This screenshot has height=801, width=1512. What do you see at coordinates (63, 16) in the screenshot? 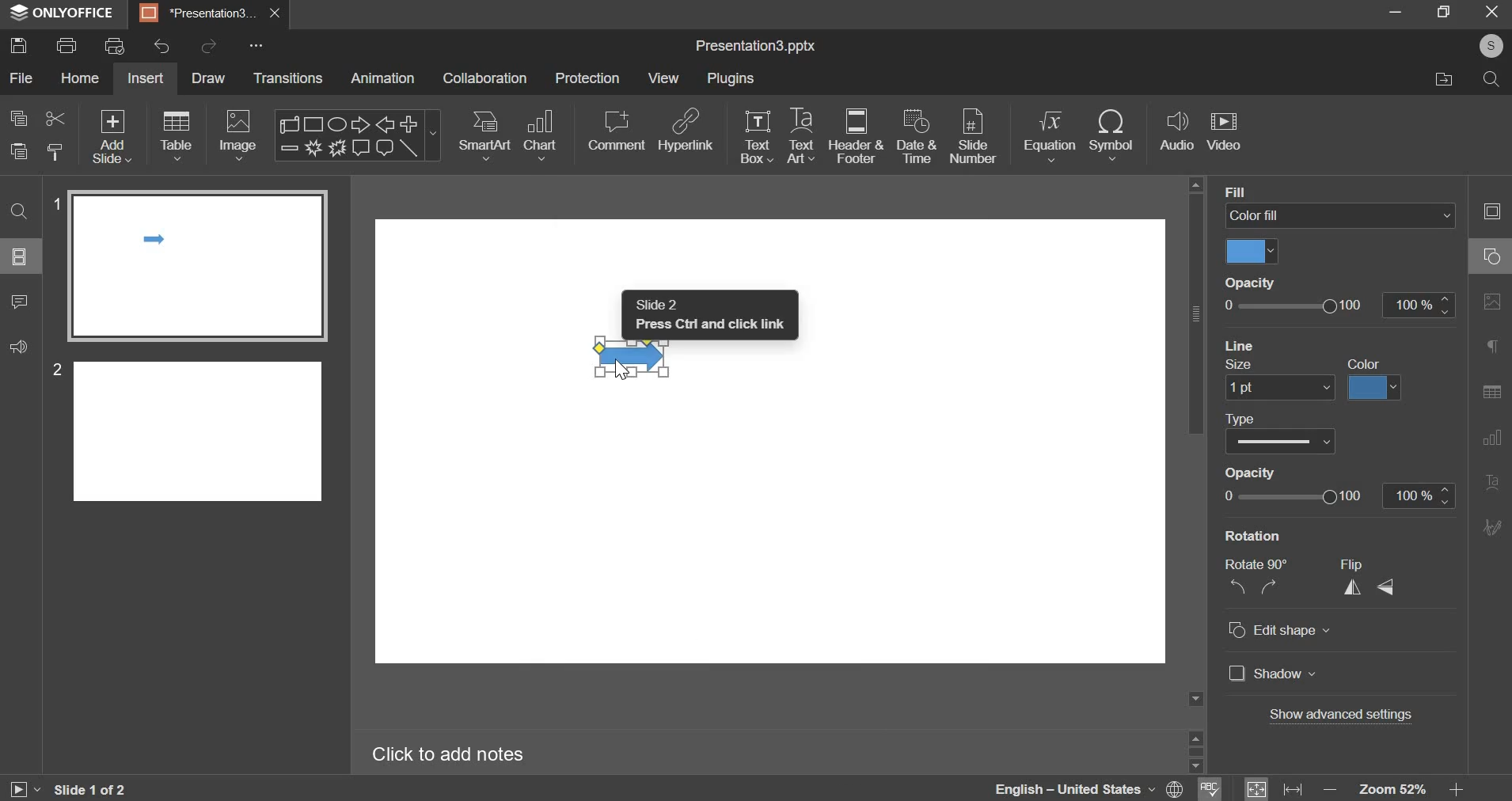
I see `app name` at bounding box center [63, 16].